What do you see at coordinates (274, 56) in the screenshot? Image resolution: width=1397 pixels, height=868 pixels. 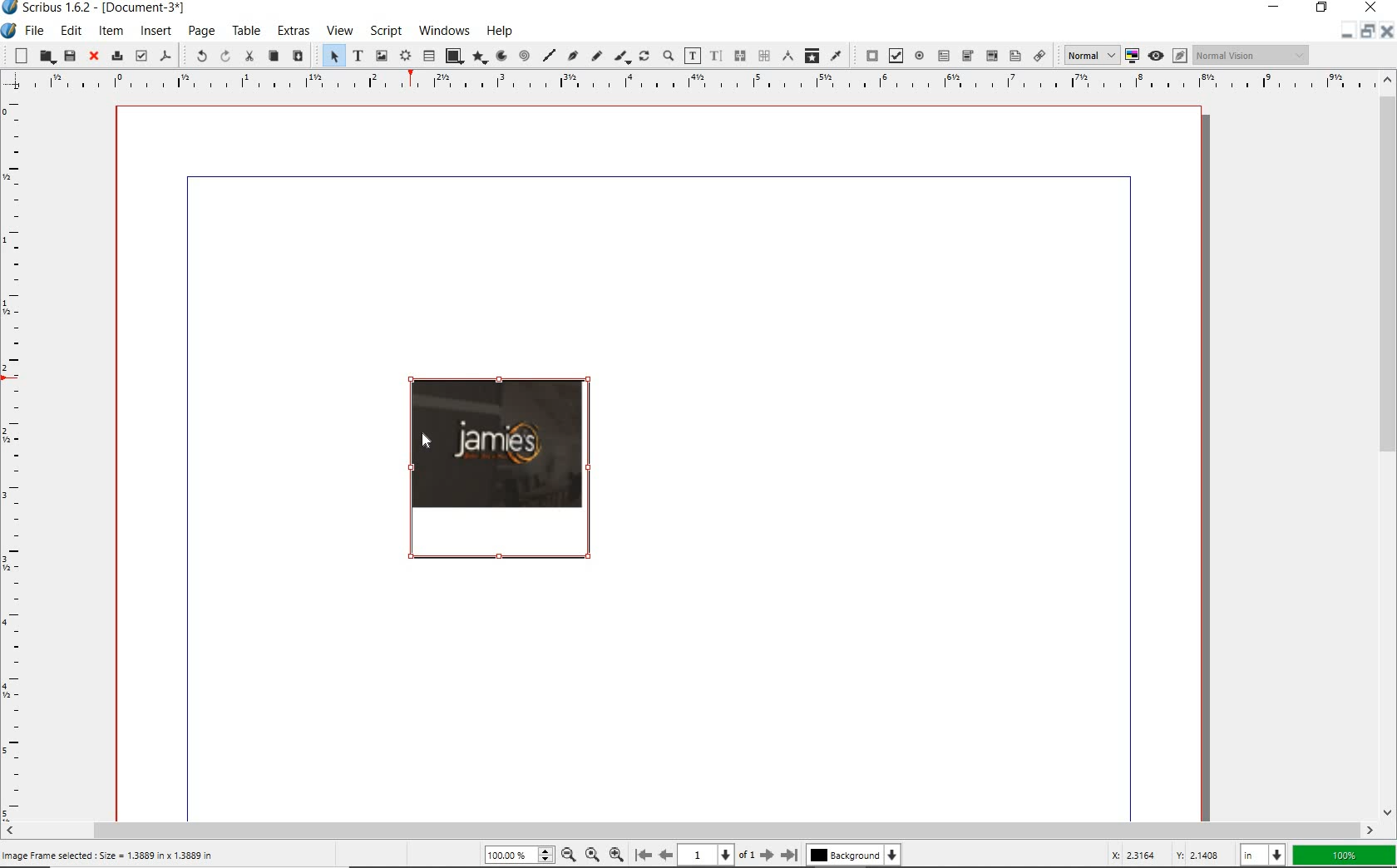 I see `copy` at bounding box center [274, 56].